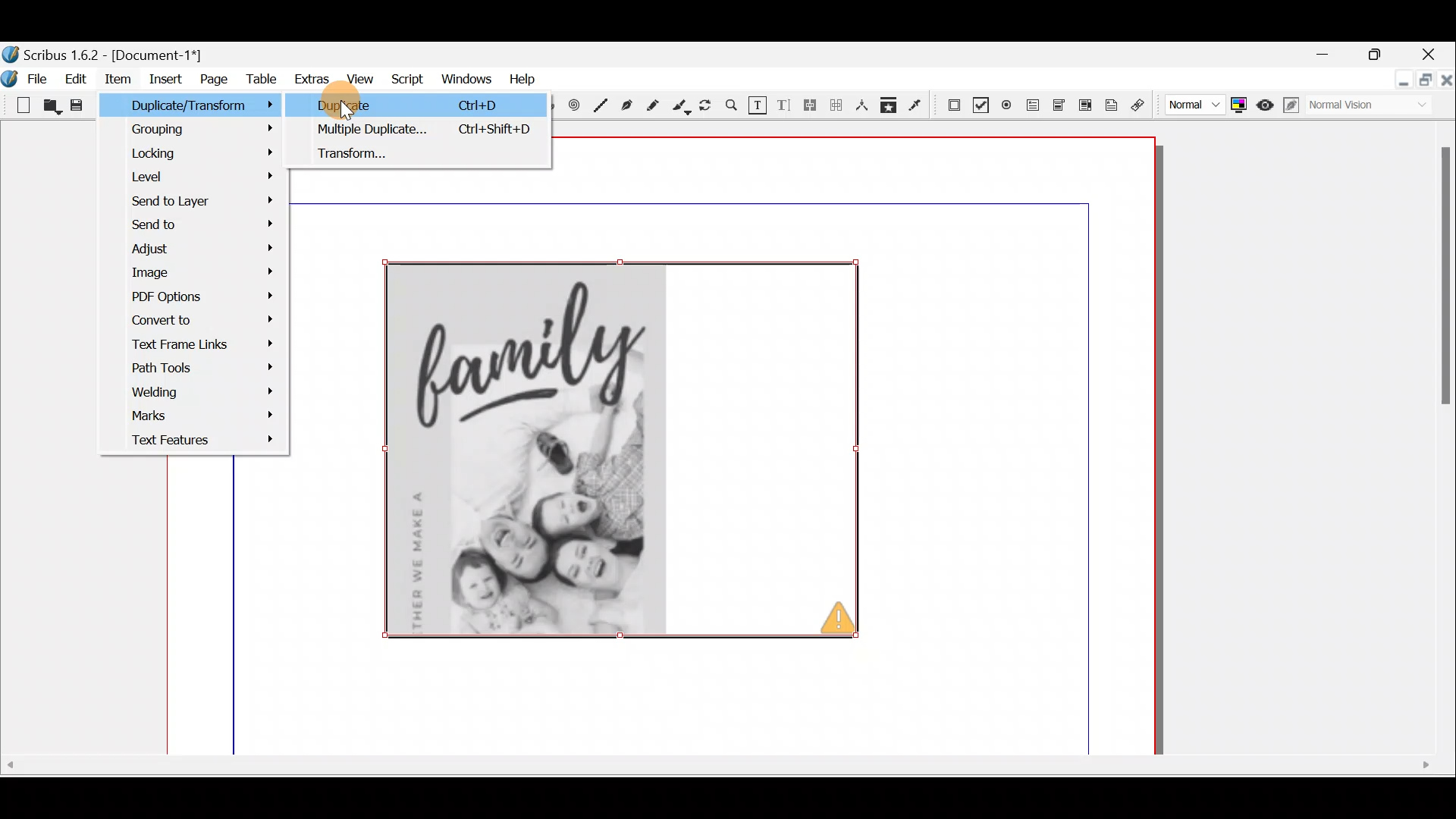 The height and width of the screenshot is (819, 1456). Describe the element at coordinates (601, 104) in the screenshot. I see `Line` at that location.